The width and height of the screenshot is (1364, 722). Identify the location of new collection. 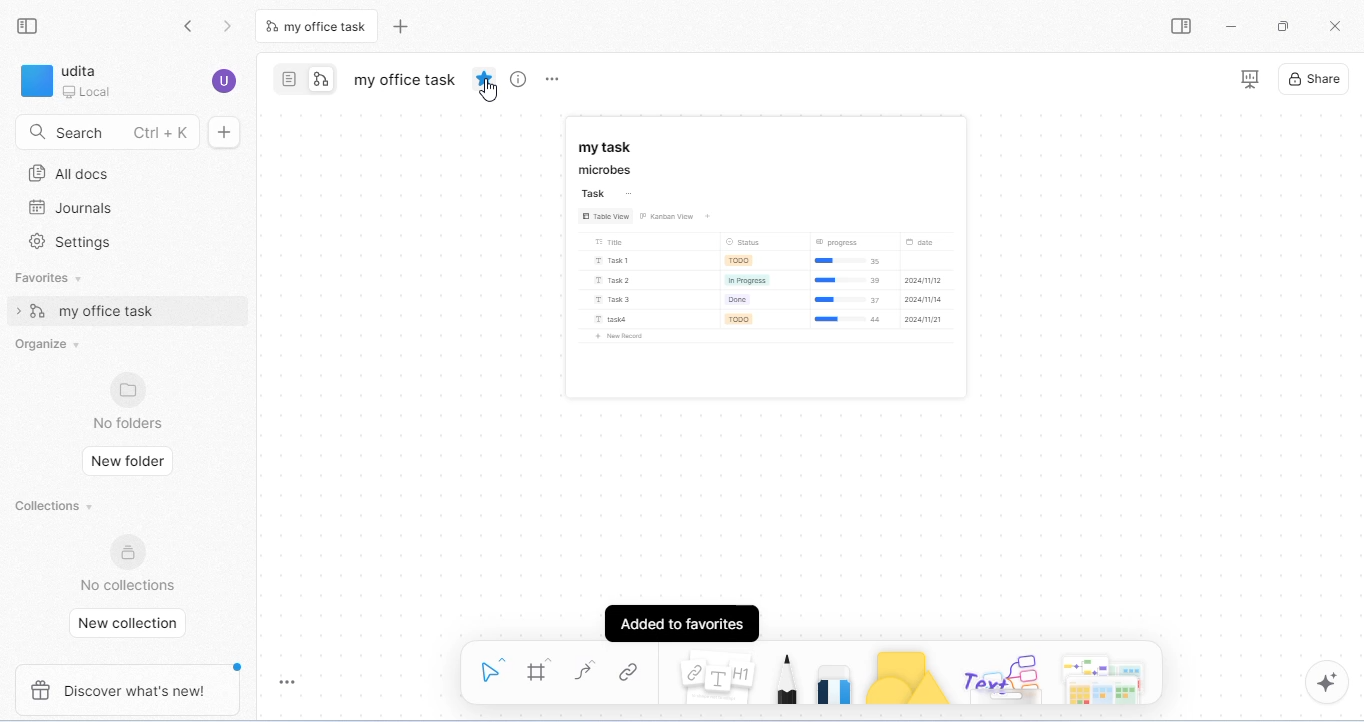
(129, 624).